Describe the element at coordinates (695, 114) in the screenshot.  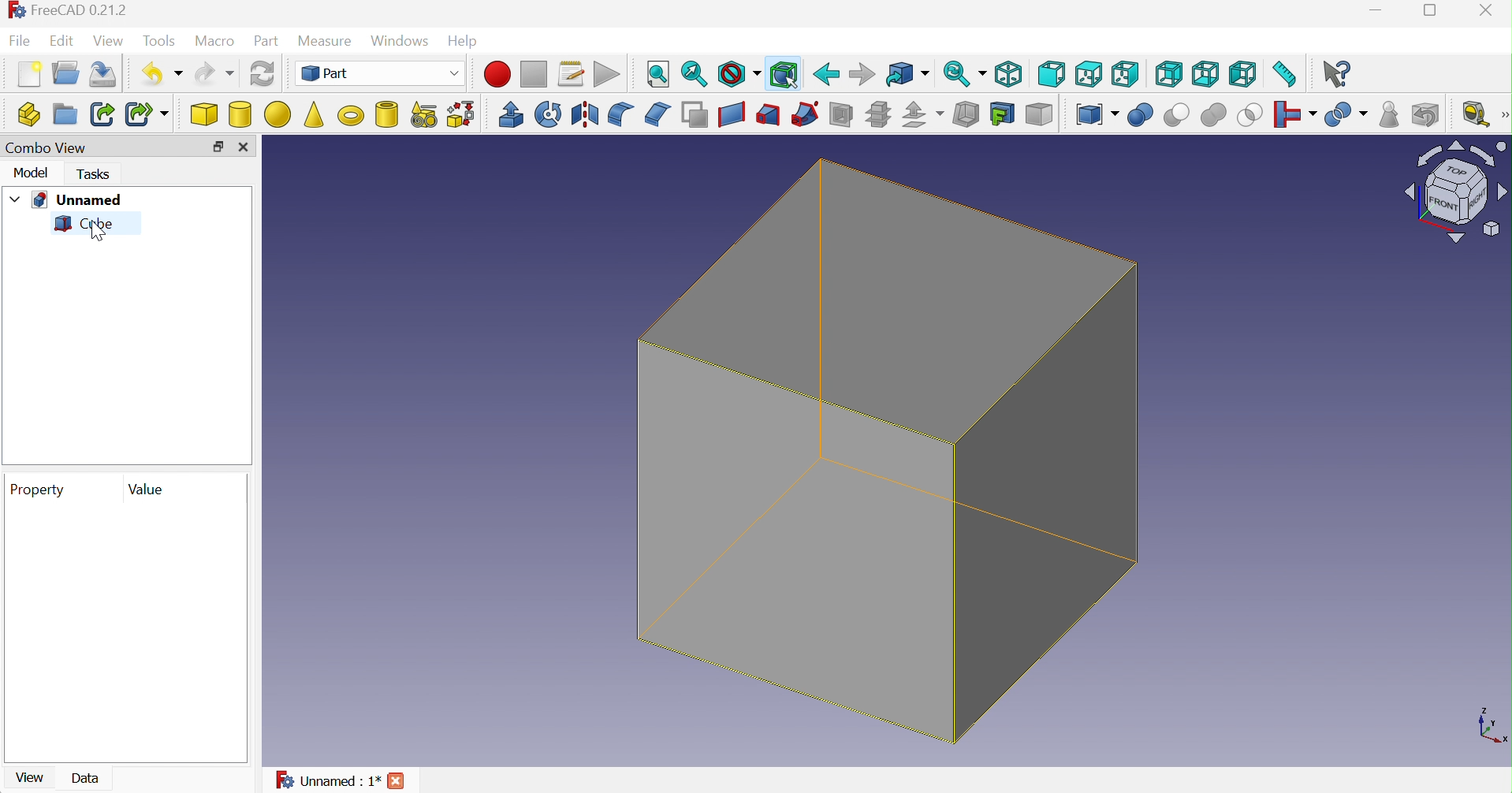
I see `Make face from wires` at that location.